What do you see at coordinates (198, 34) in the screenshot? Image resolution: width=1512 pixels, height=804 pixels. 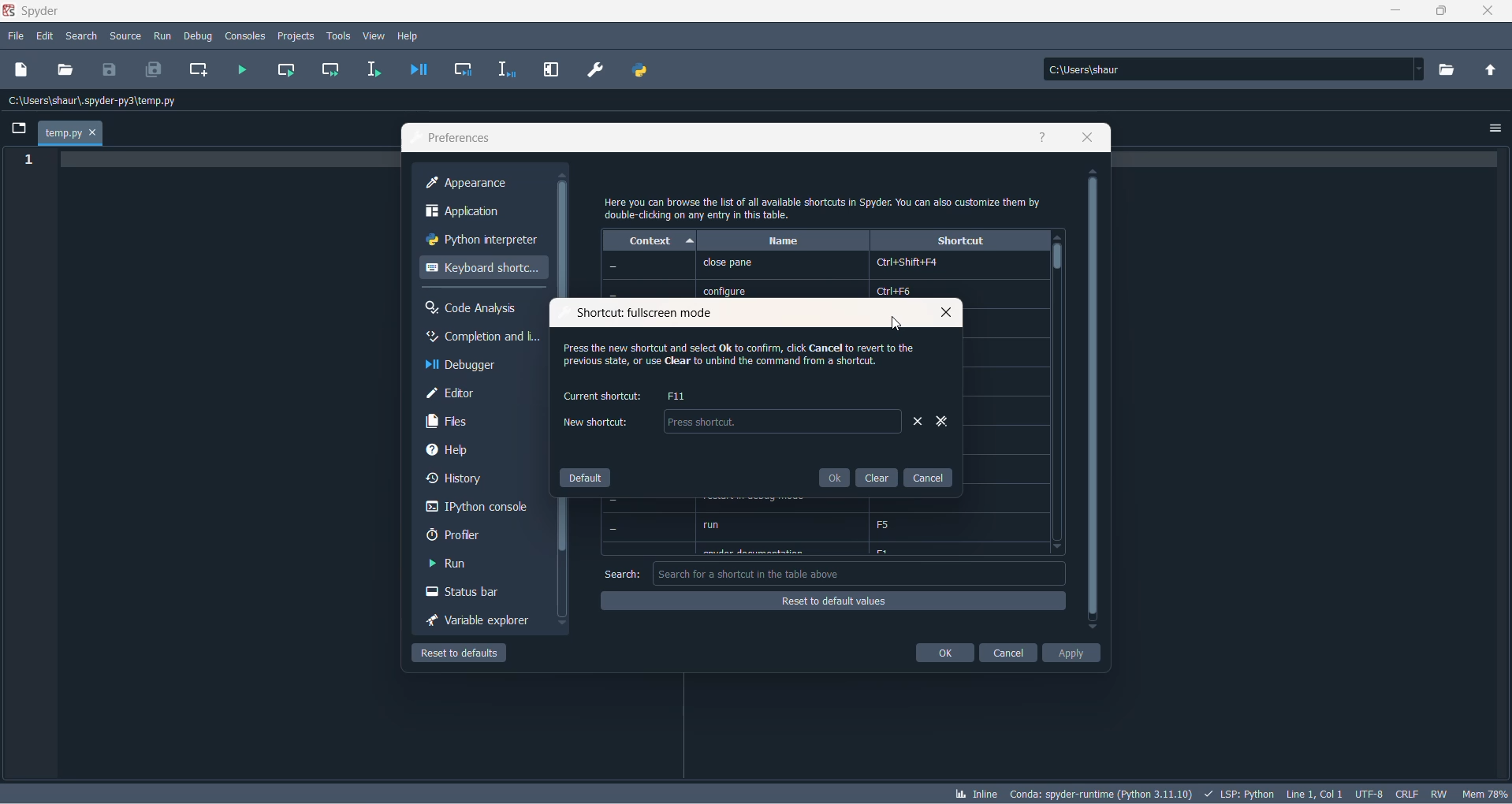 I see `debug` at bounding box center [198, 34].